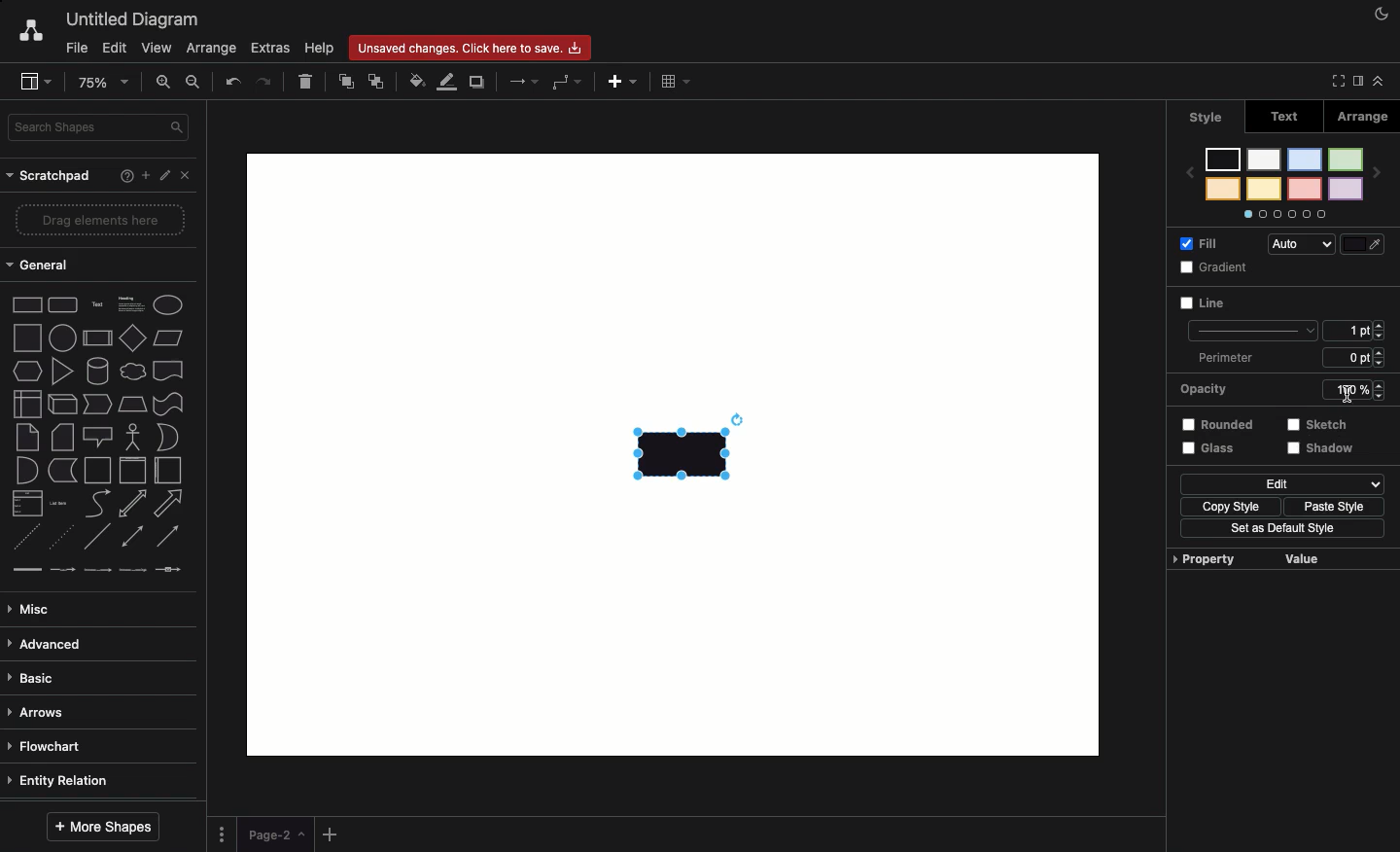 This screenshot has height=852, width=1400. Describe the element at coordinates (1347, 396) in the screenshot. I see `Cursor` at that location.